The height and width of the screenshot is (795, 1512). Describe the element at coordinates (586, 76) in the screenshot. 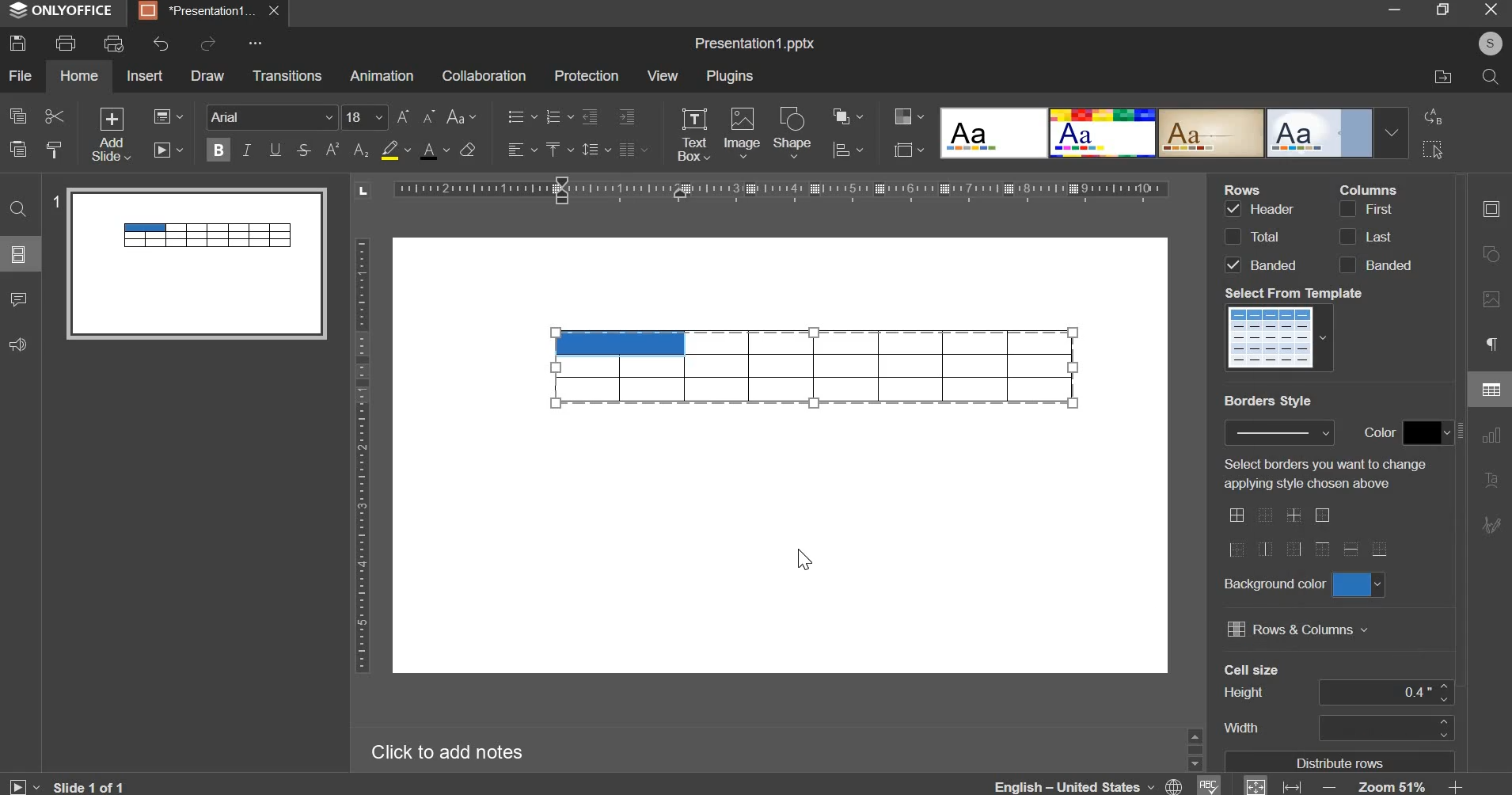

I see `protection` at that location.